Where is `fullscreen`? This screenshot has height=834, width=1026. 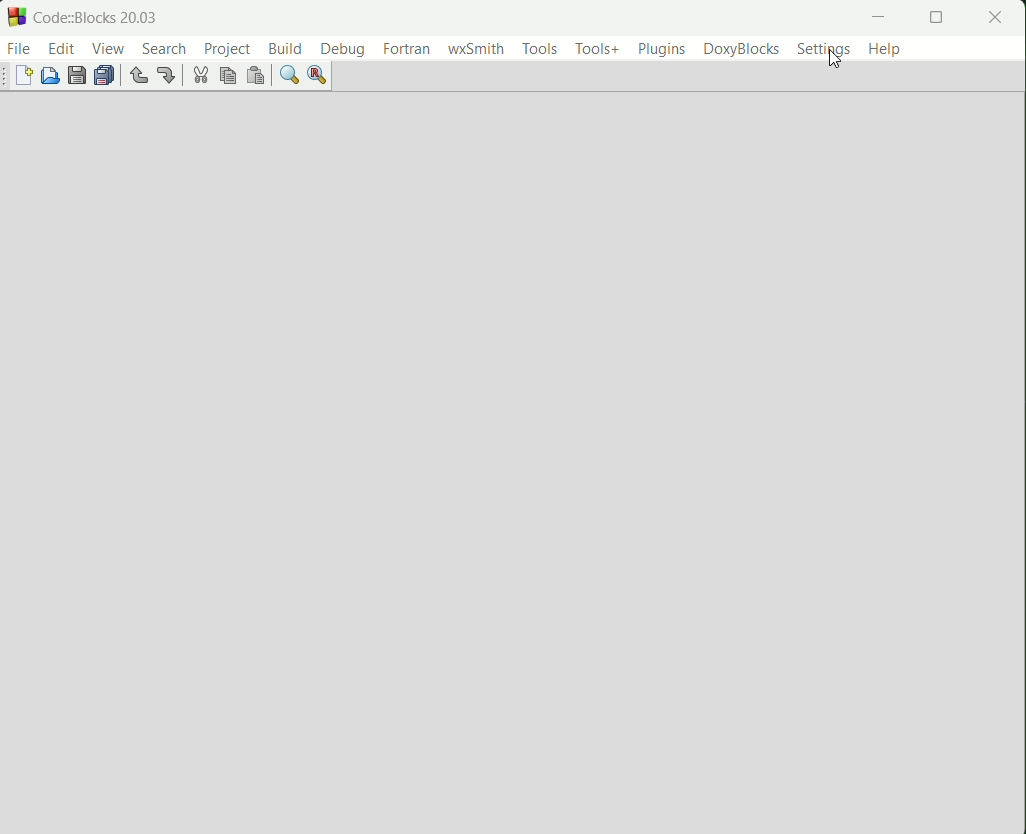
fullscreen is located at coordinates (934, 18).